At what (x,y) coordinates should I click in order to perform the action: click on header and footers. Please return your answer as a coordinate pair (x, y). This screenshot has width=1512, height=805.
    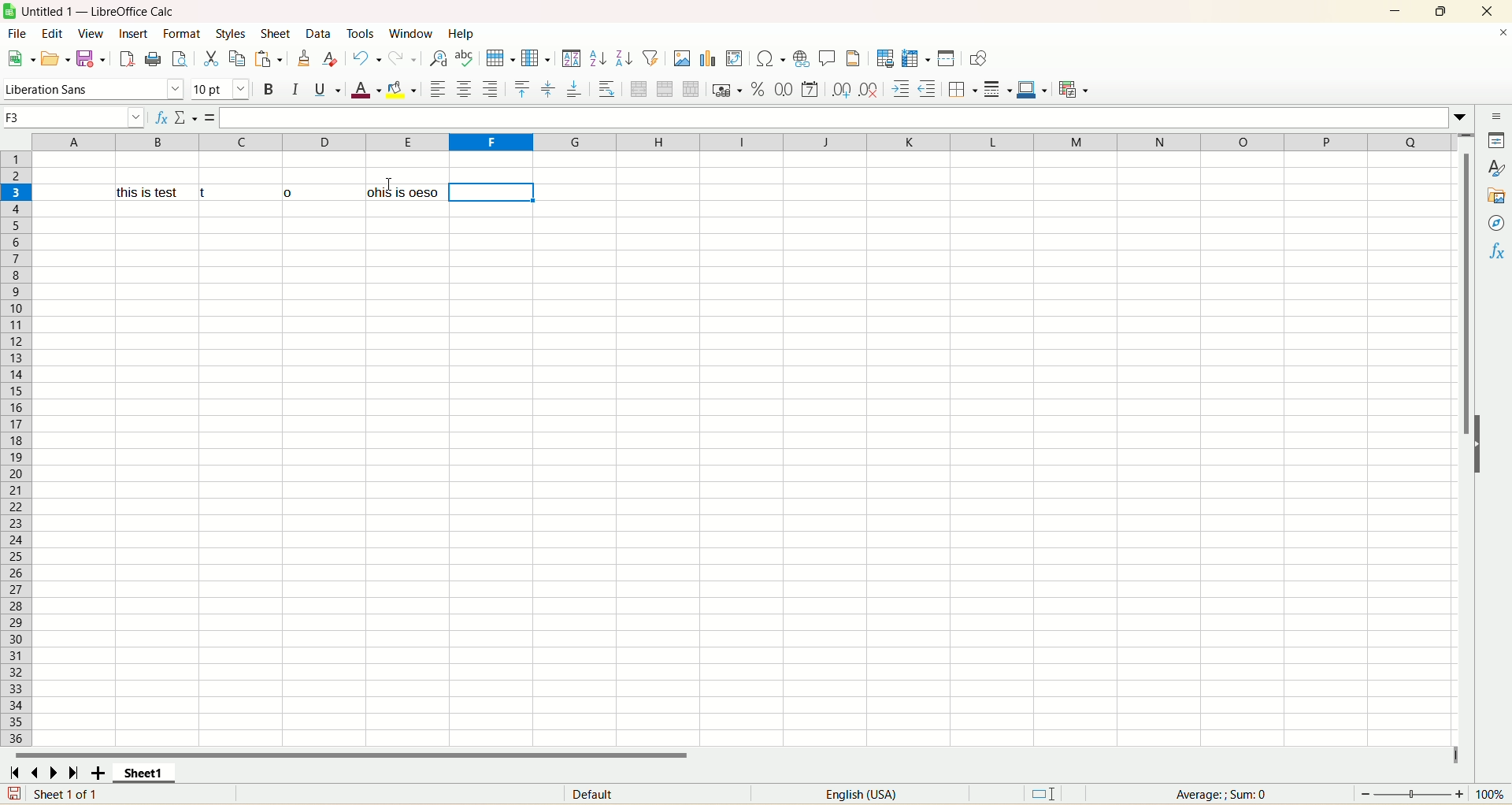
    Looking at the image, I should click on (854, 58).